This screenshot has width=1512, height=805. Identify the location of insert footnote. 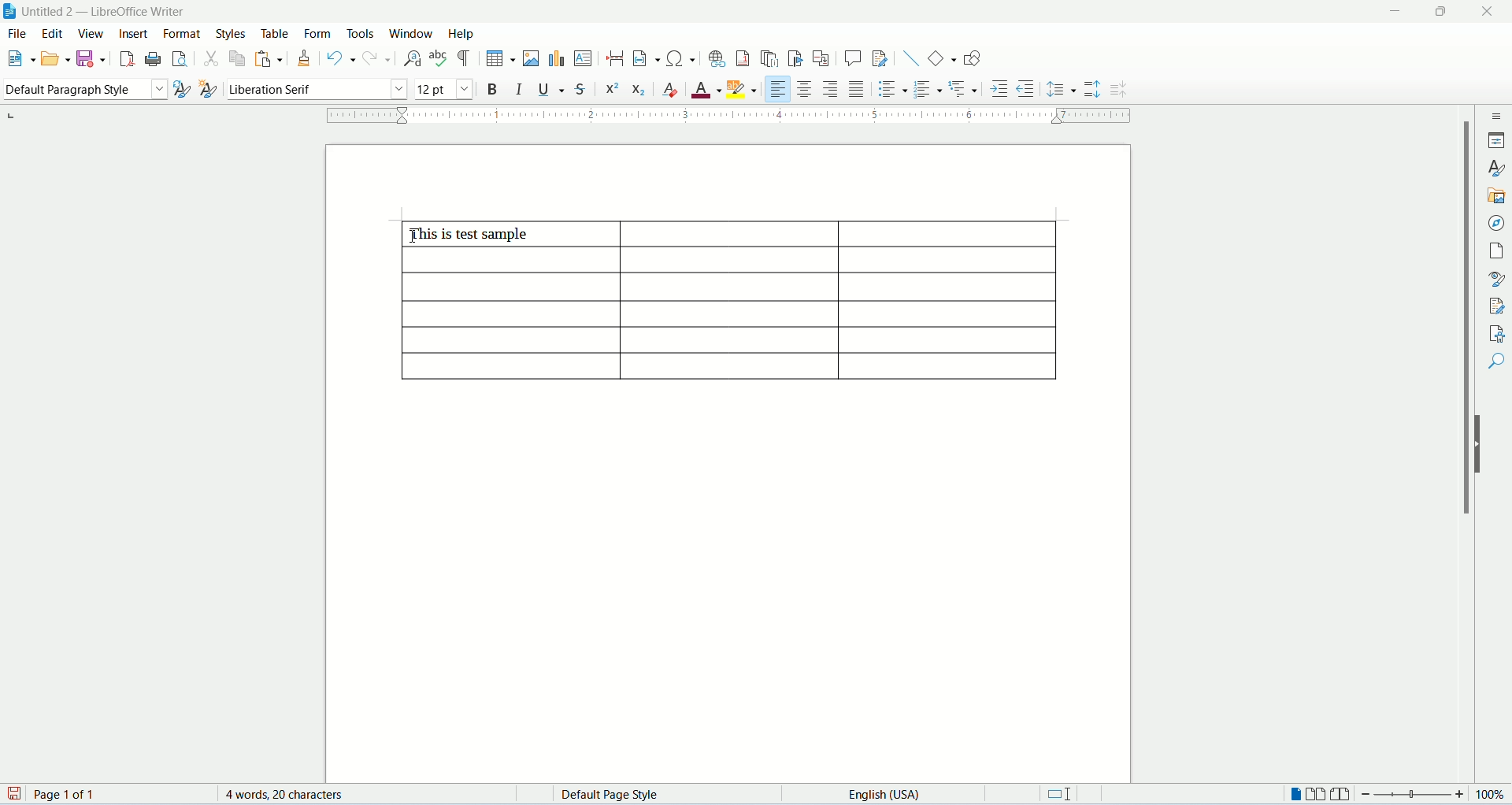
(743, 57).